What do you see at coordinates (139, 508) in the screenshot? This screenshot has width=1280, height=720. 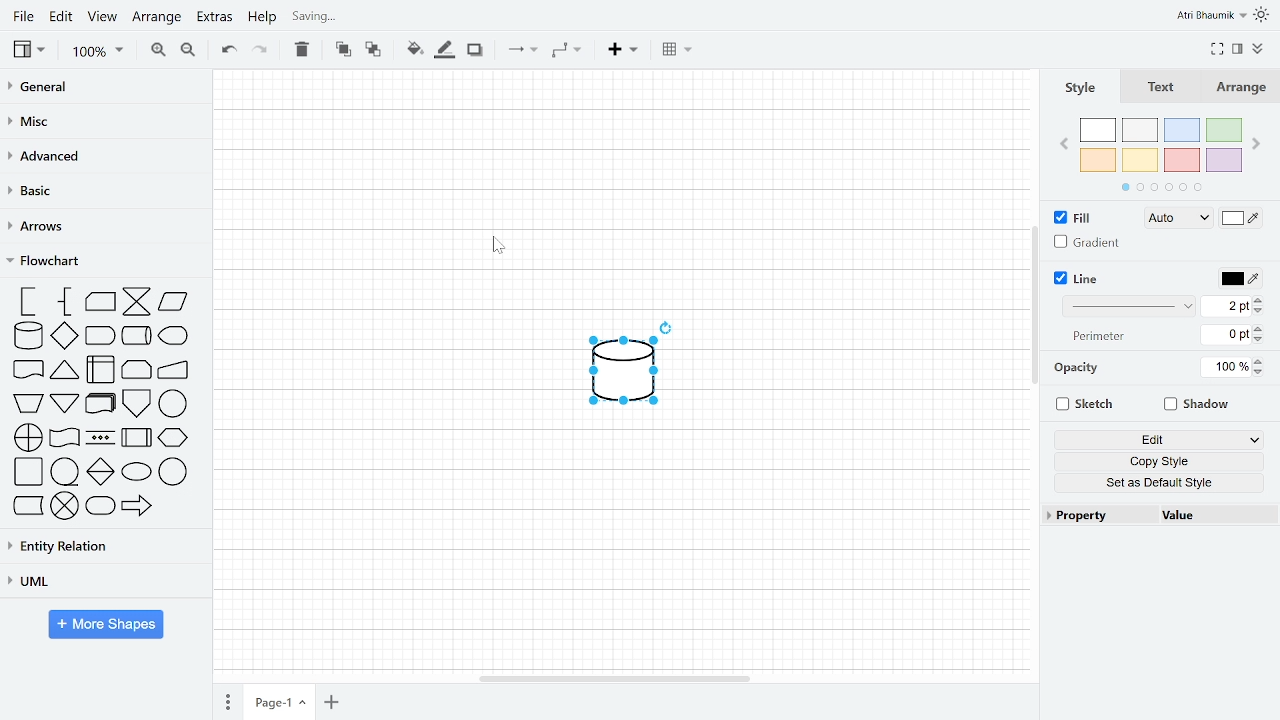 I see `transfer` at bounding box center [139, 508].